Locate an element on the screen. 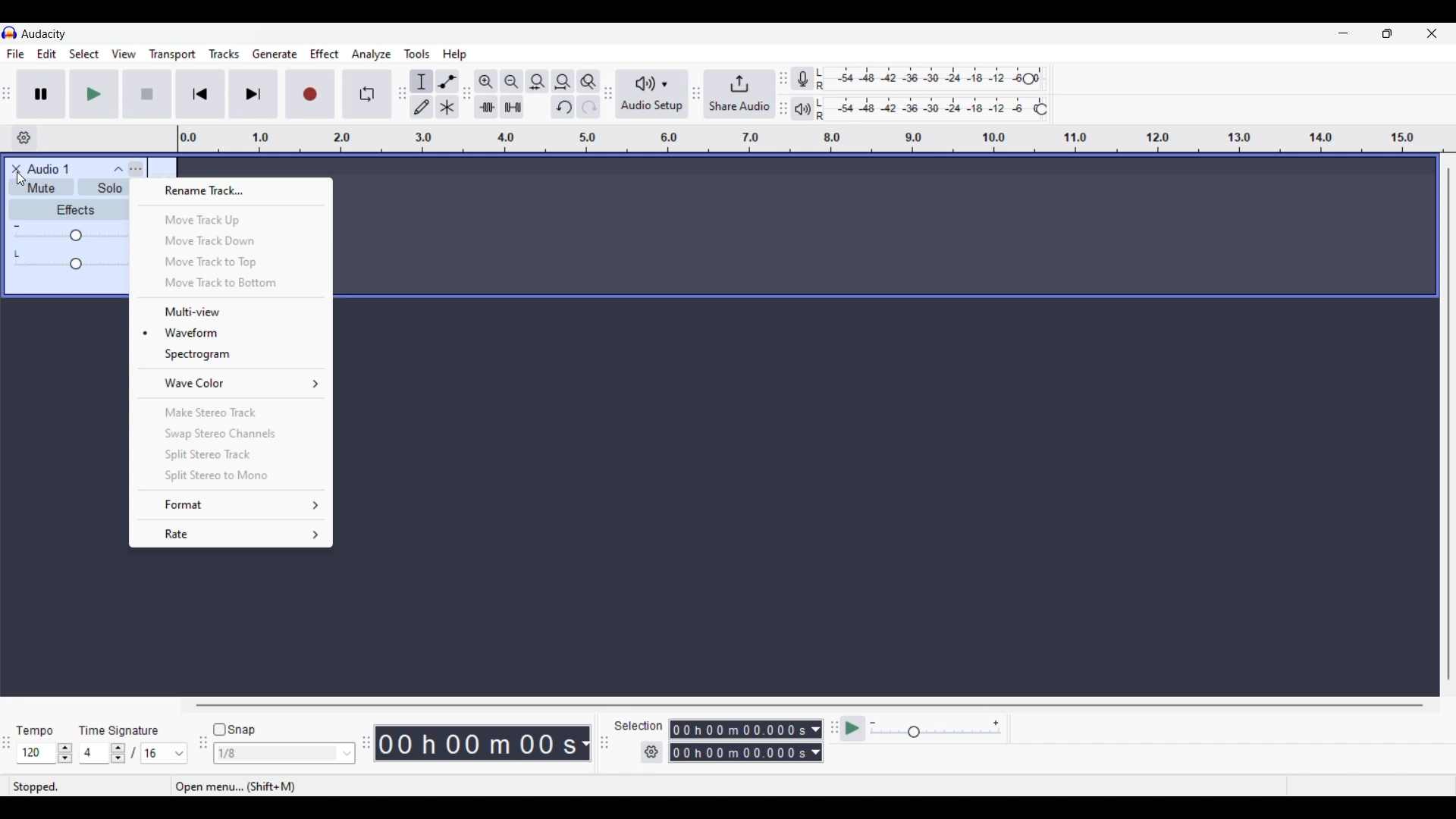  File menu is located at coordinates (15, 54).